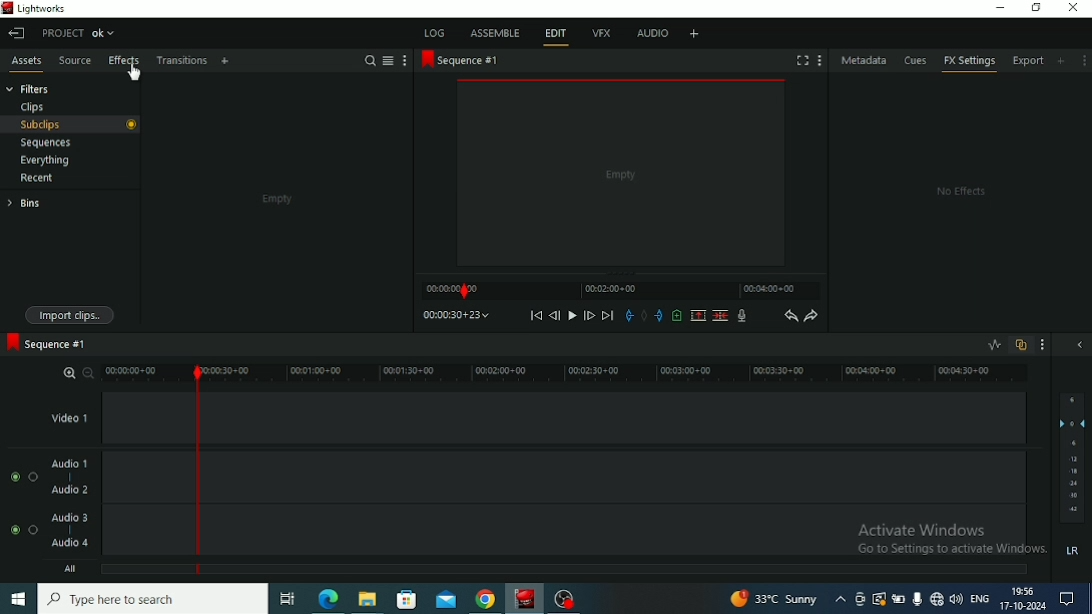  What do you see at coordinates (456, 314) in the screenshot?
I see `Time` at bounding box center [456, 314].